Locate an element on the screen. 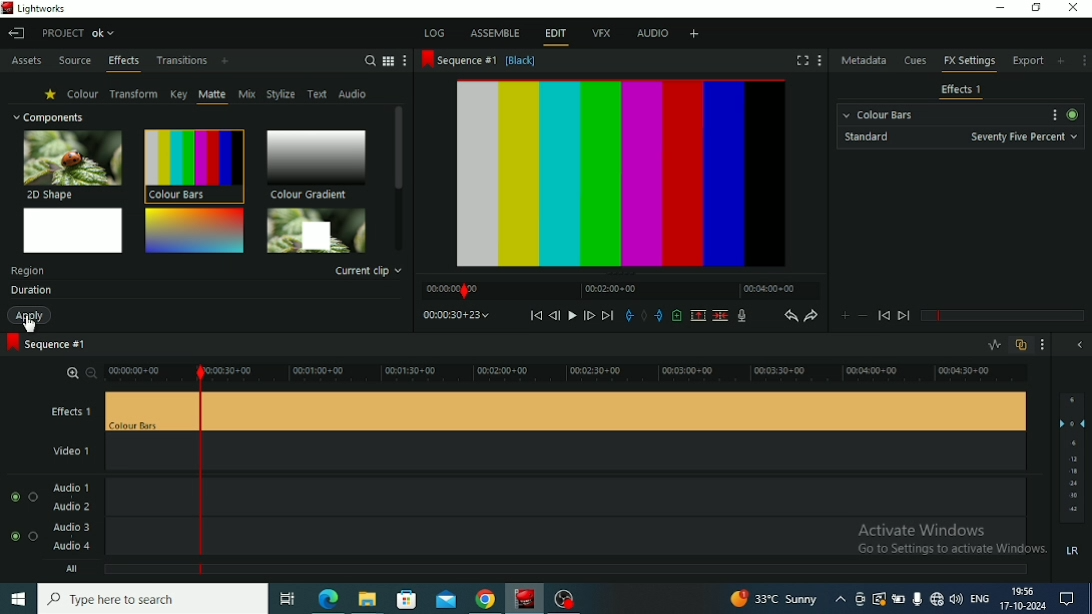 This screenshot has height=614, width=1092. Date and Time Indicator is located at coordinates (1022, 599).